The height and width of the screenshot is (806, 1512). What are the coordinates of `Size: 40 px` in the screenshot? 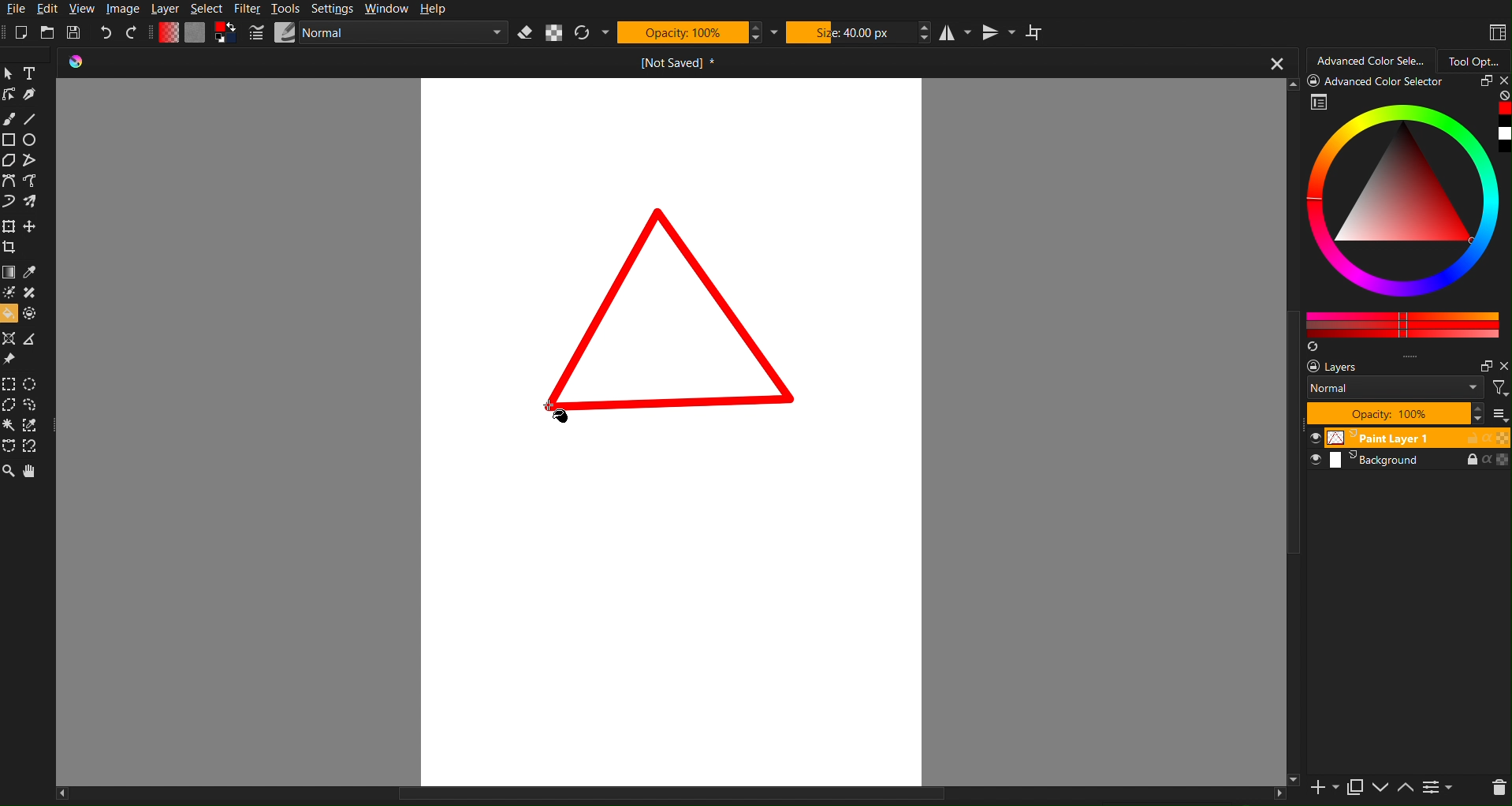 It's located at (851, 32).